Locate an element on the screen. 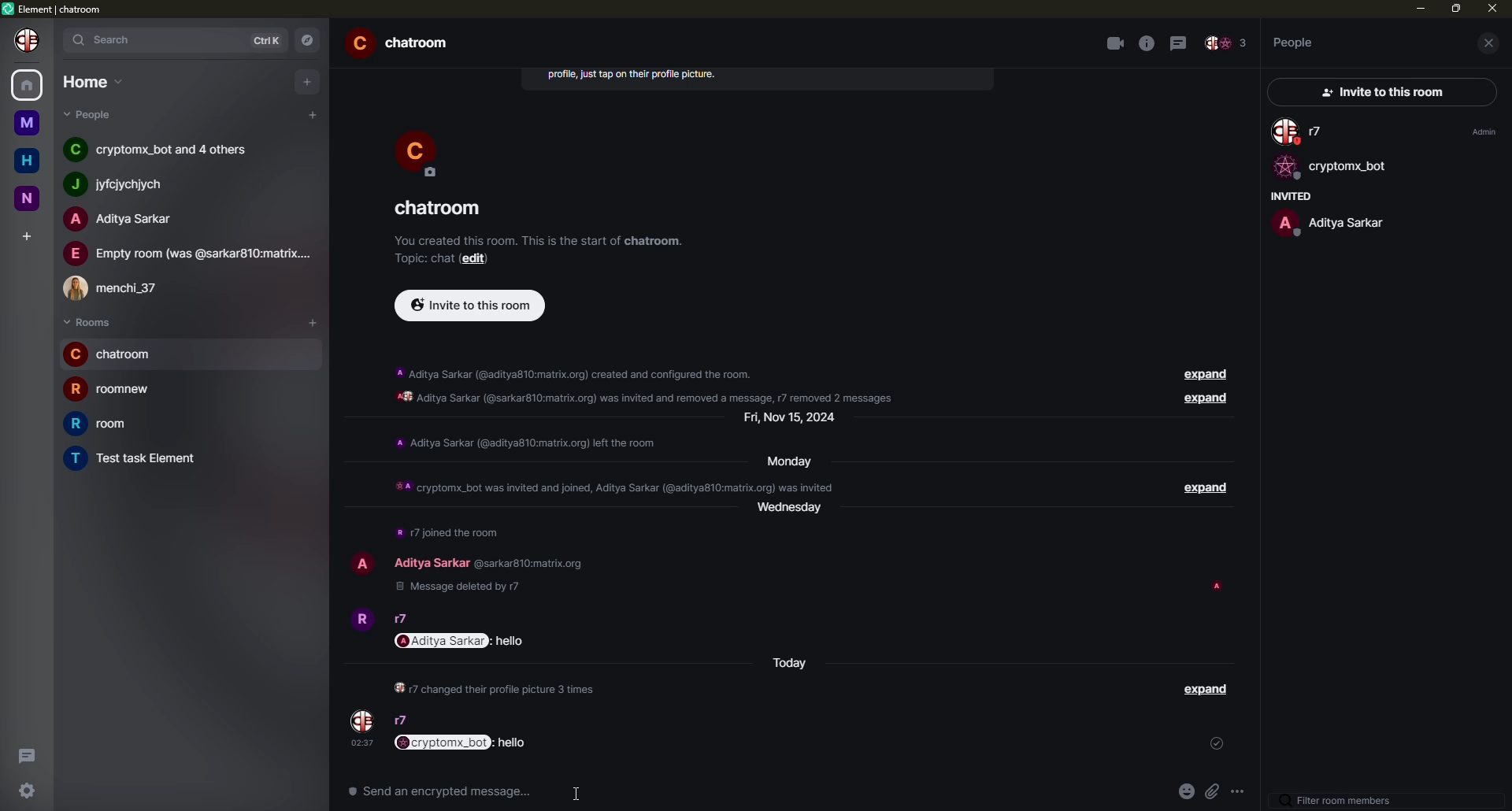 The height and width of the screenshot is (811, 1512). info is located at coordinates (615, 487).